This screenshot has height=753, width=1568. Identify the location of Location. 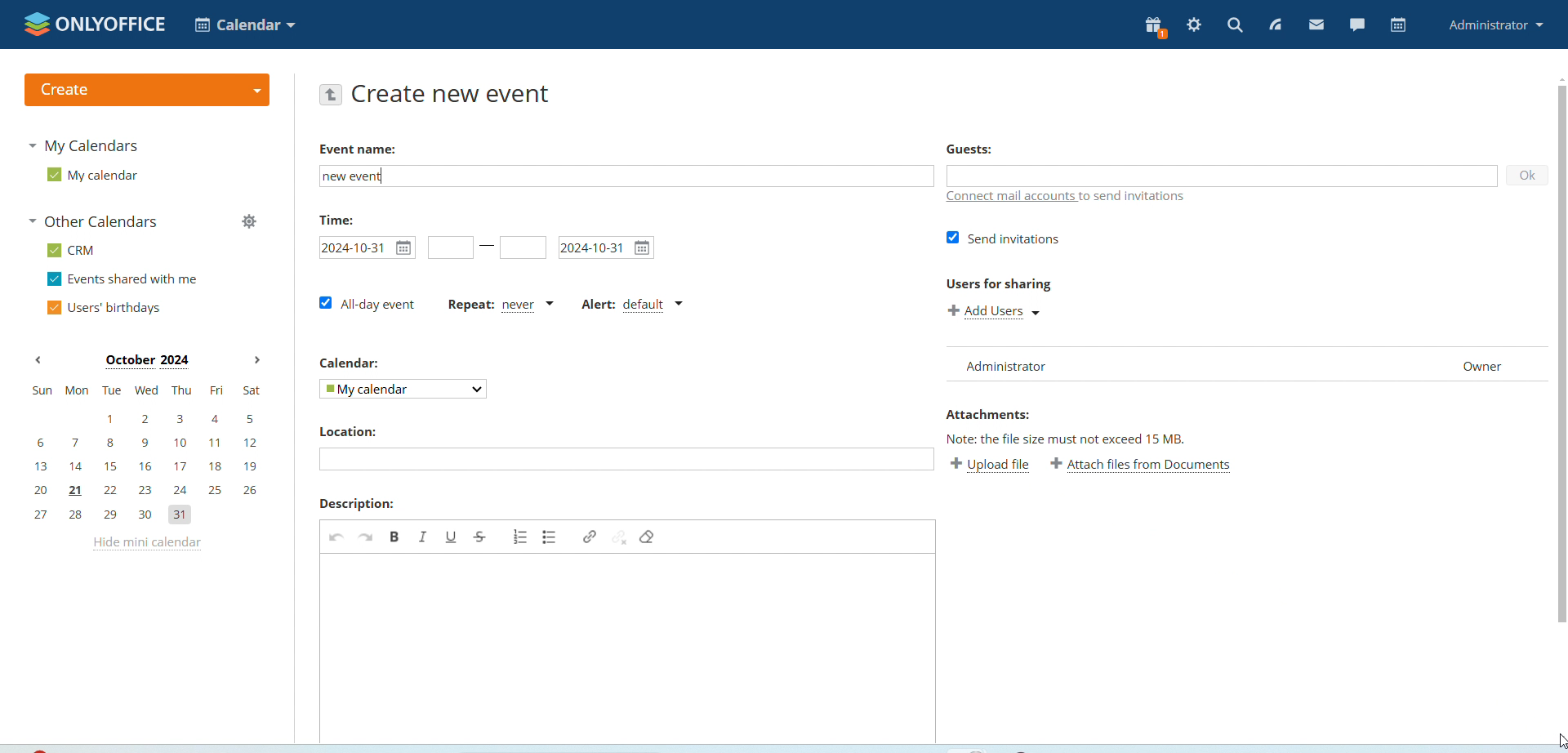
(348, 433).